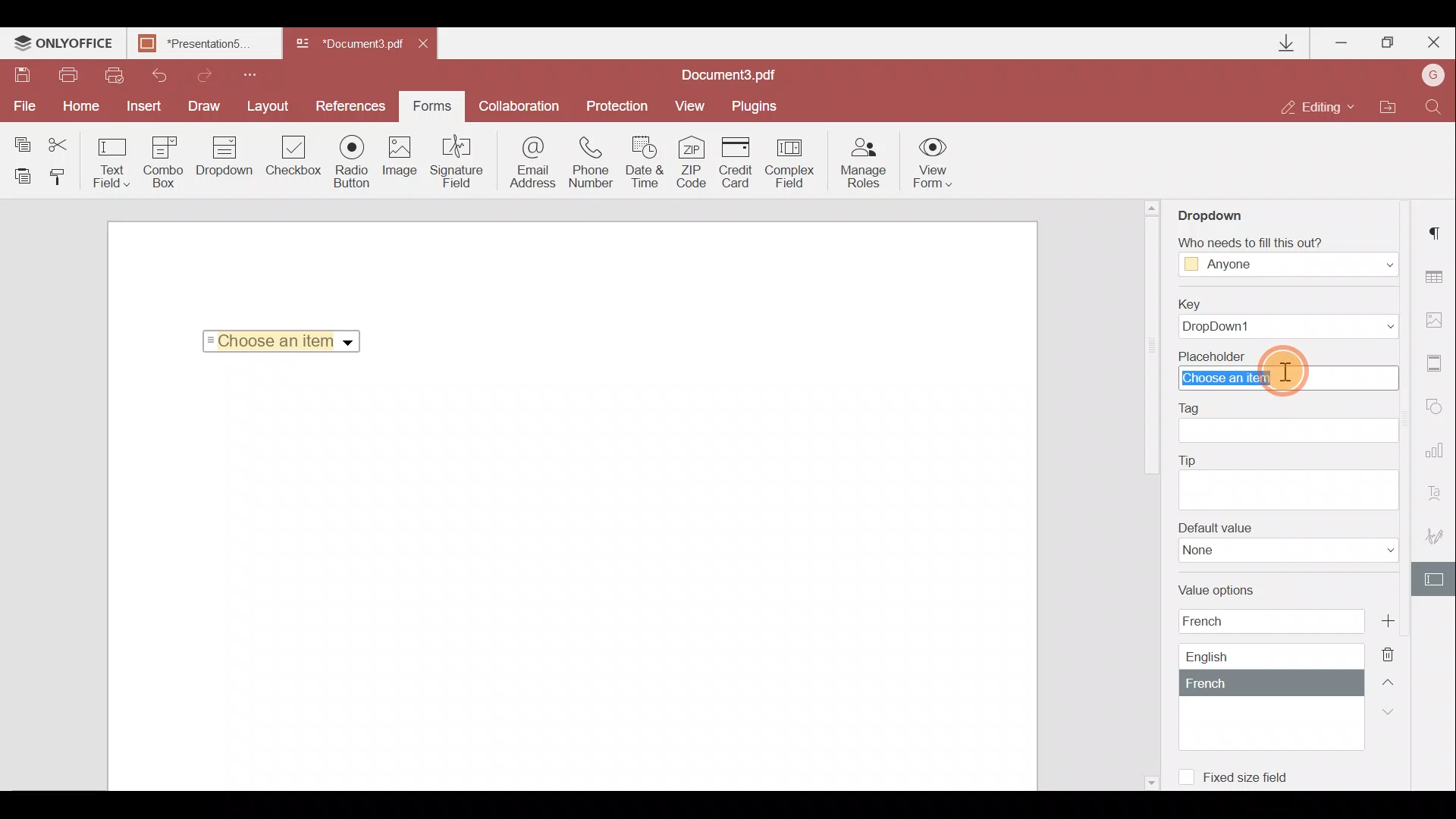 The width and height of the screenshot is (1456, 819). What do you see at coordinates (757, 104) in the screenshot?
I see `Plugins` at bounding box center [757, 104].